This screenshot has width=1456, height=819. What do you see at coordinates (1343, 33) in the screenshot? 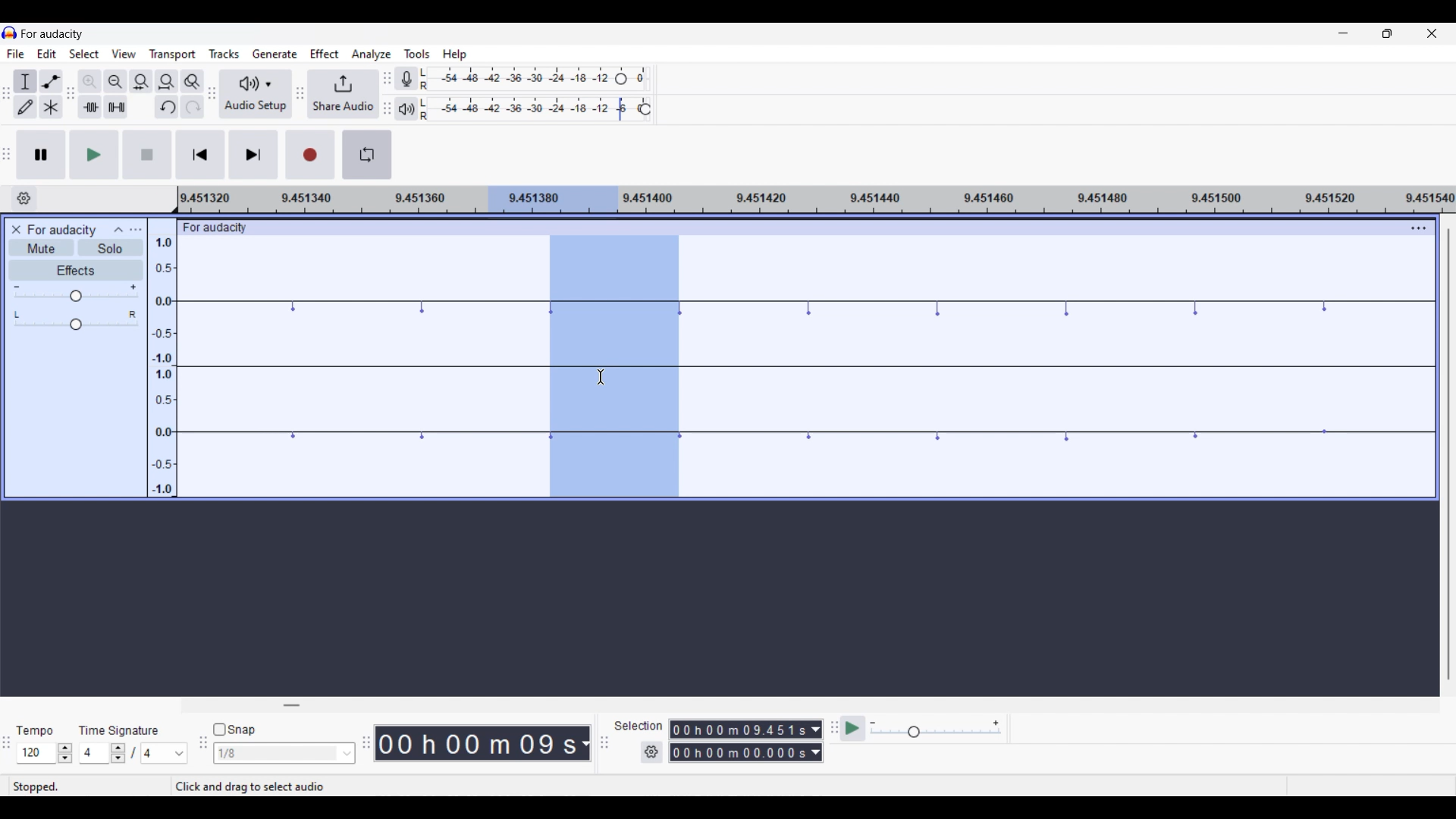
I see `Minimize` at bounding box center [1343, 33].